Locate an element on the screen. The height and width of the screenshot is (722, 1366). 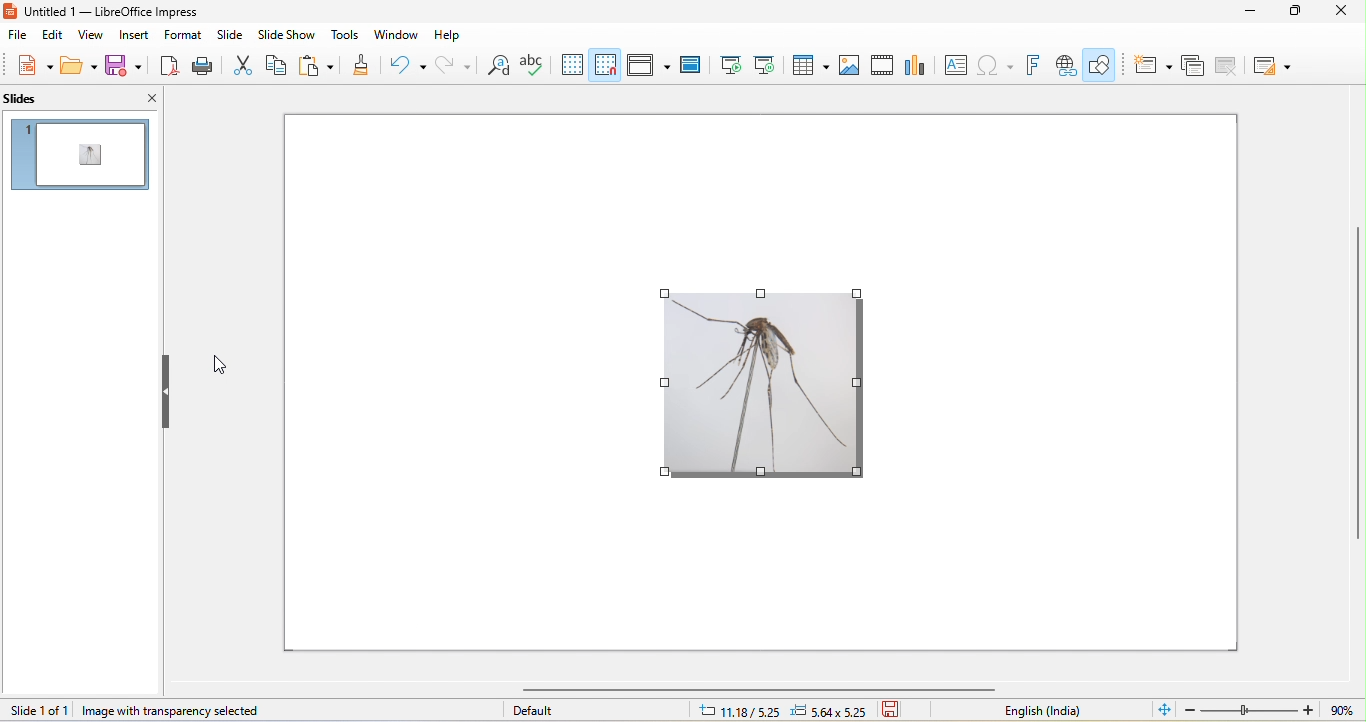
insert special characters is located at coordinates (995, 65).